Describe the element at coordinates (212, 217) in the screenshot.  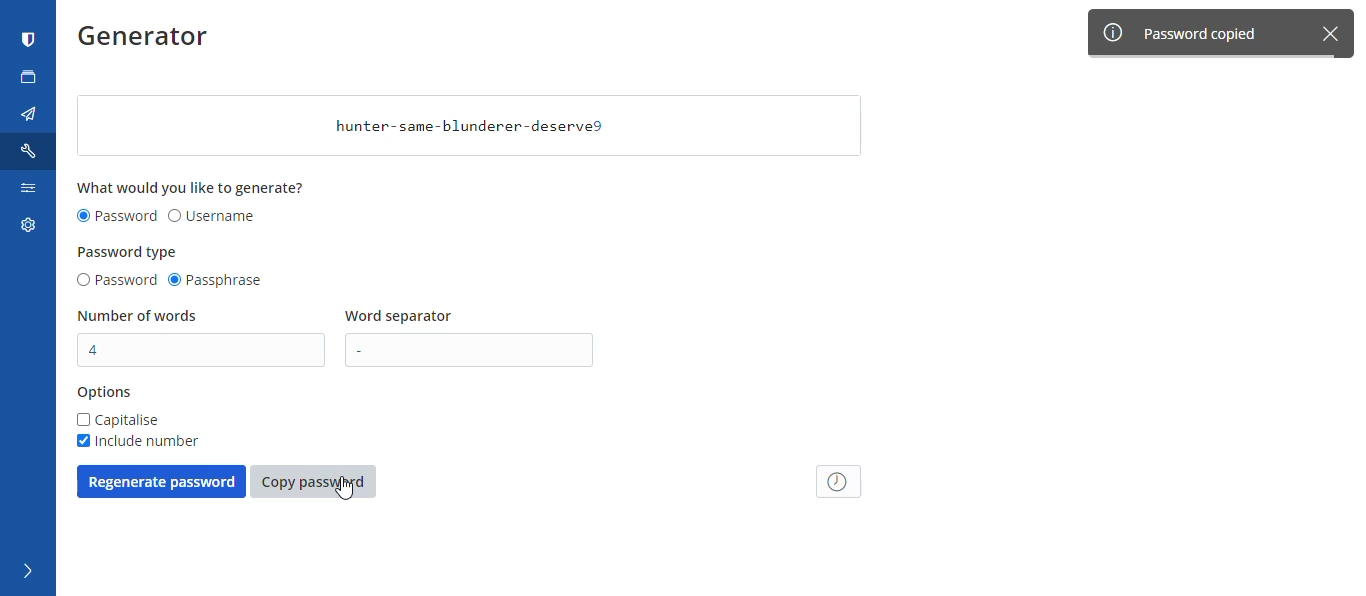
I see `username radio button` at that location.